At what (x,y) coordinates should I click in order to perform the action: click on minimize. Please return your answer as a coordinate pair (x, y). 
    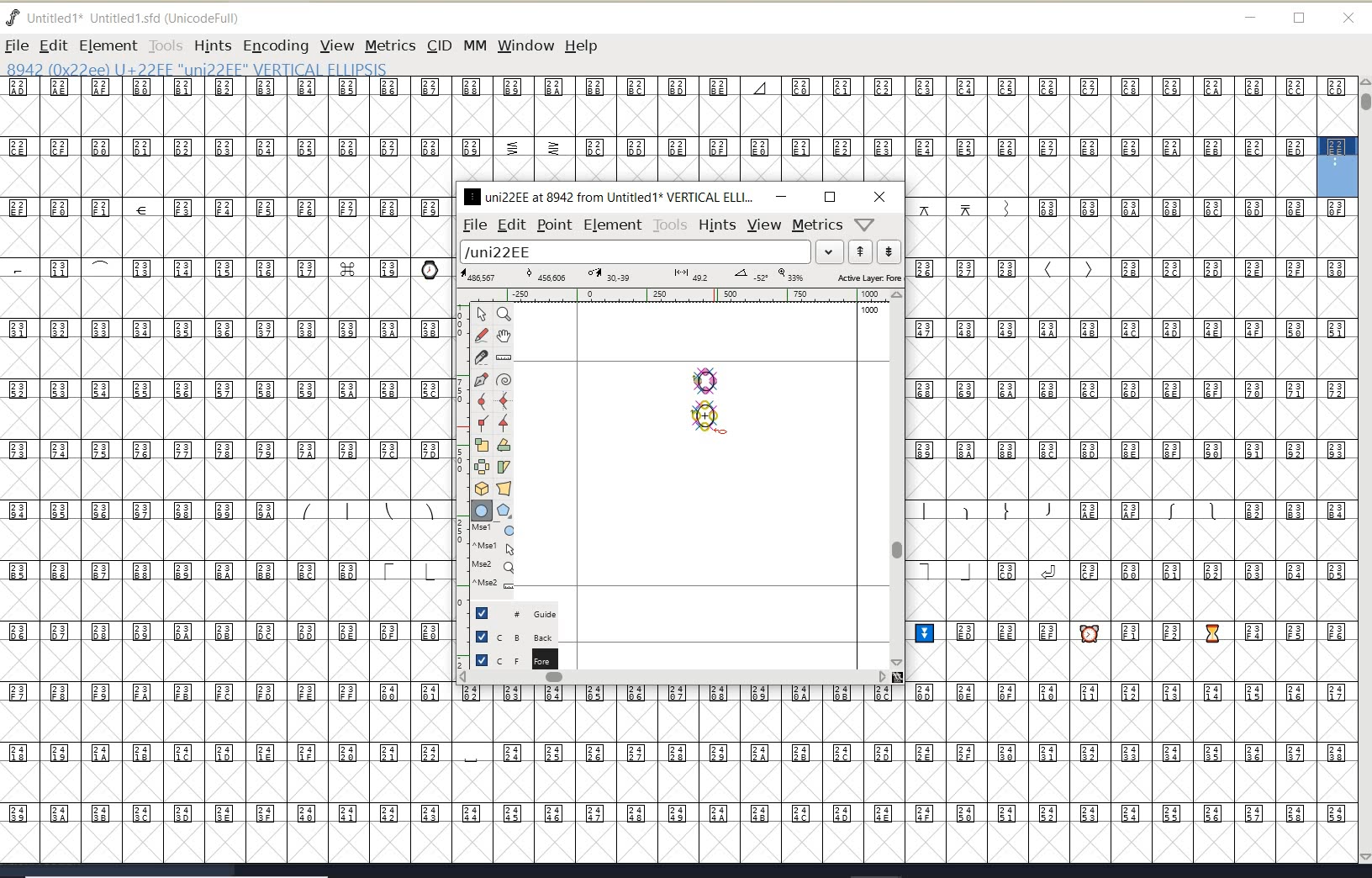
    Looking at the image, I should click on (781, 196).